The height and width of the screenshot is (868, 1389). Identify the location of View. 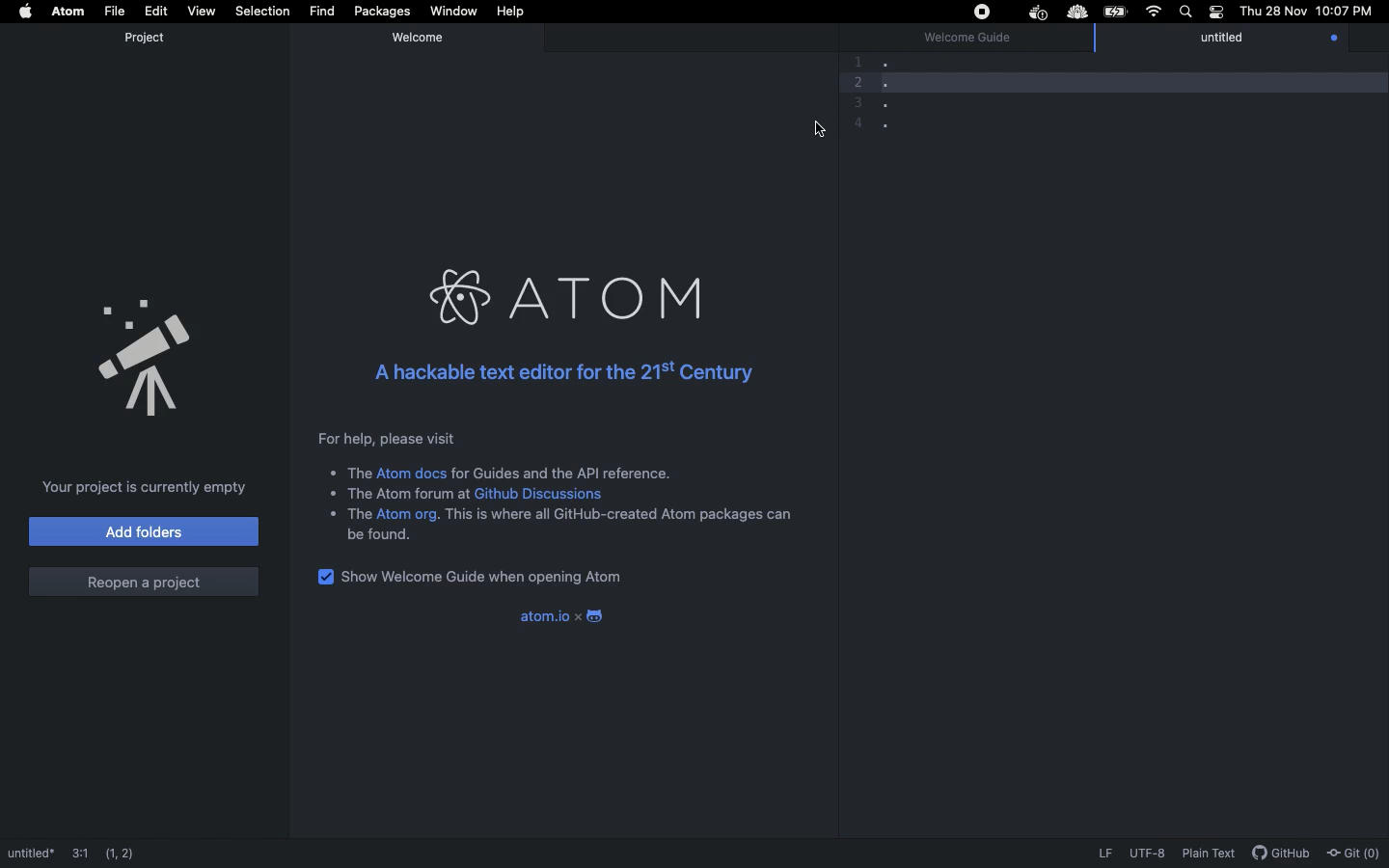
(199, 10).